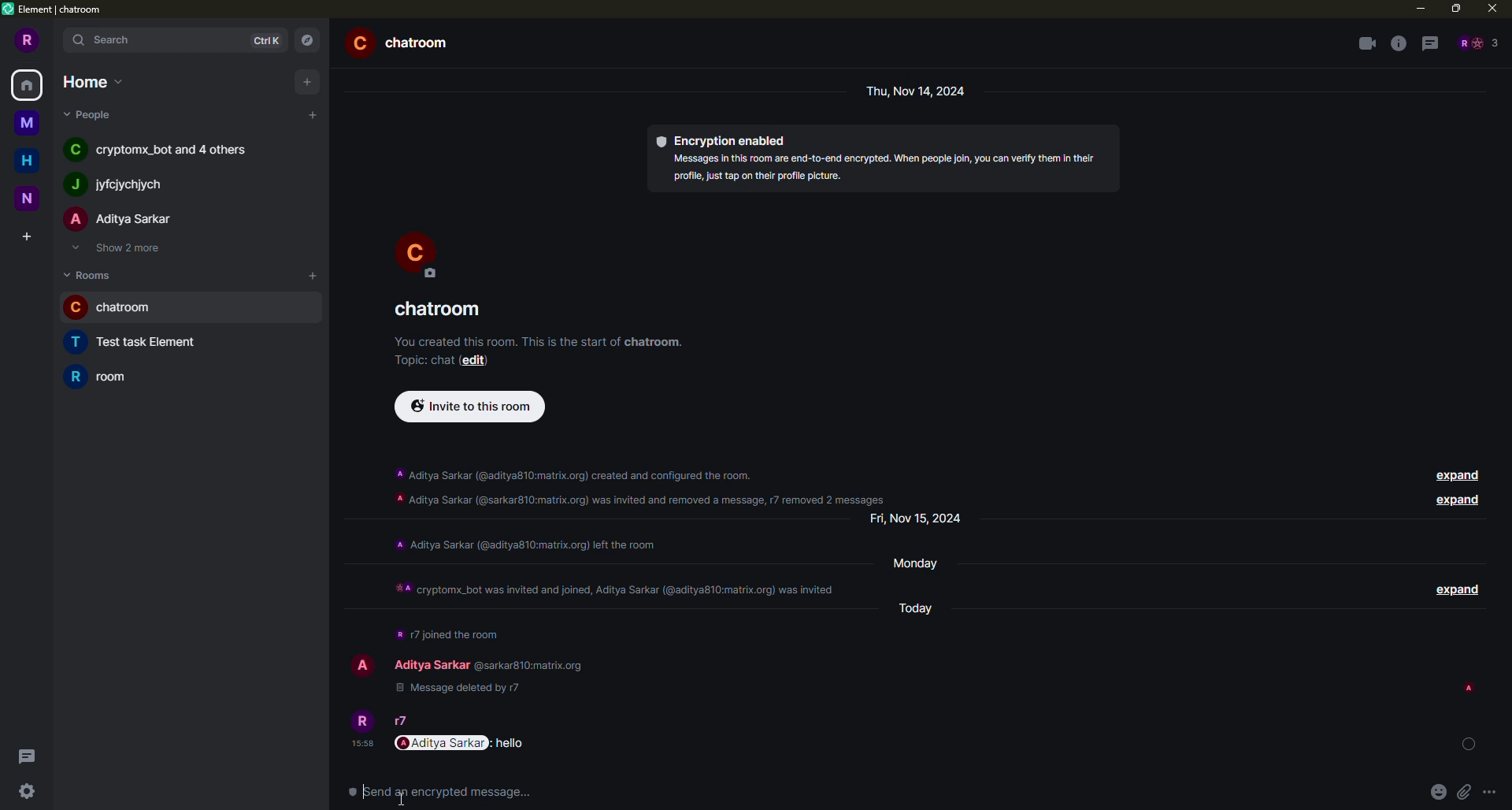 Image resolution: width=1512 pixels, height=810 pixels. I want to click on emoji, so click(1410, 792).